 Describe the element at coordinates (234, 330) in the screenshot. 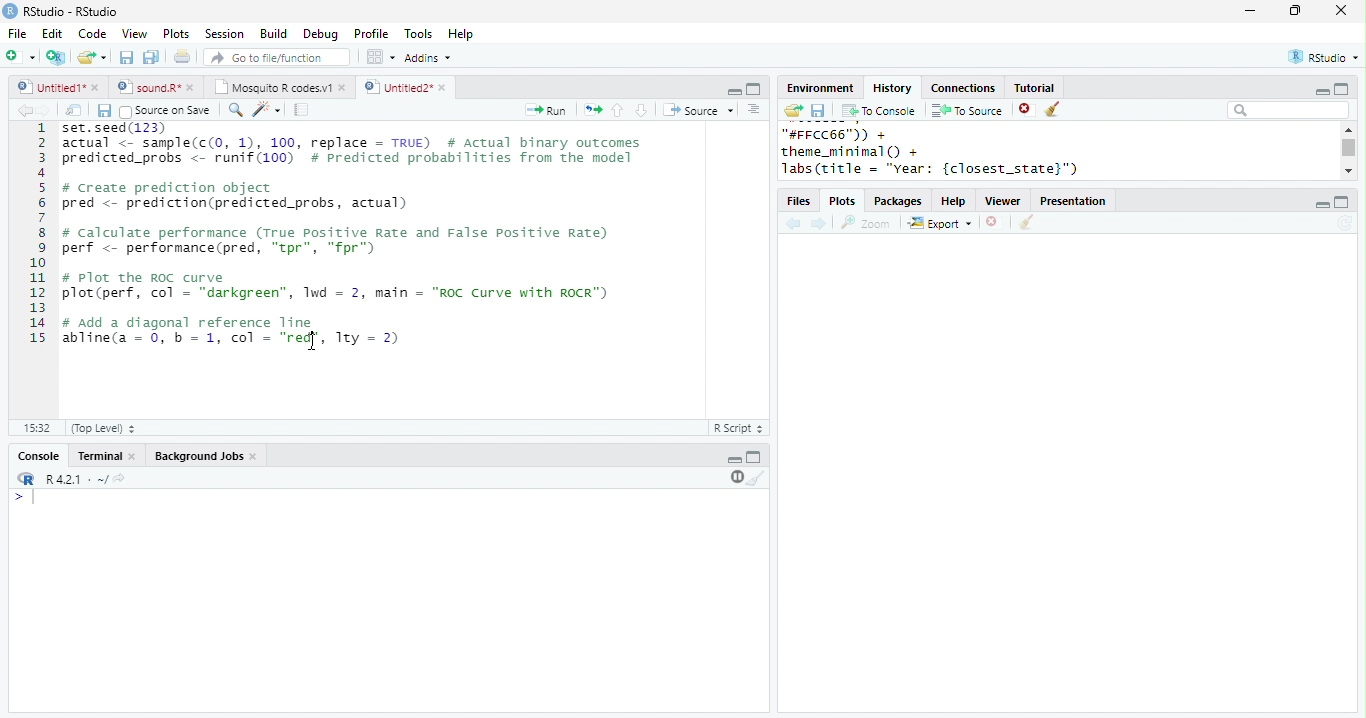

I see `# Add a diagonal reference line
abline(a = 0, b = 1, col = "red", Try = 2)` at that location.